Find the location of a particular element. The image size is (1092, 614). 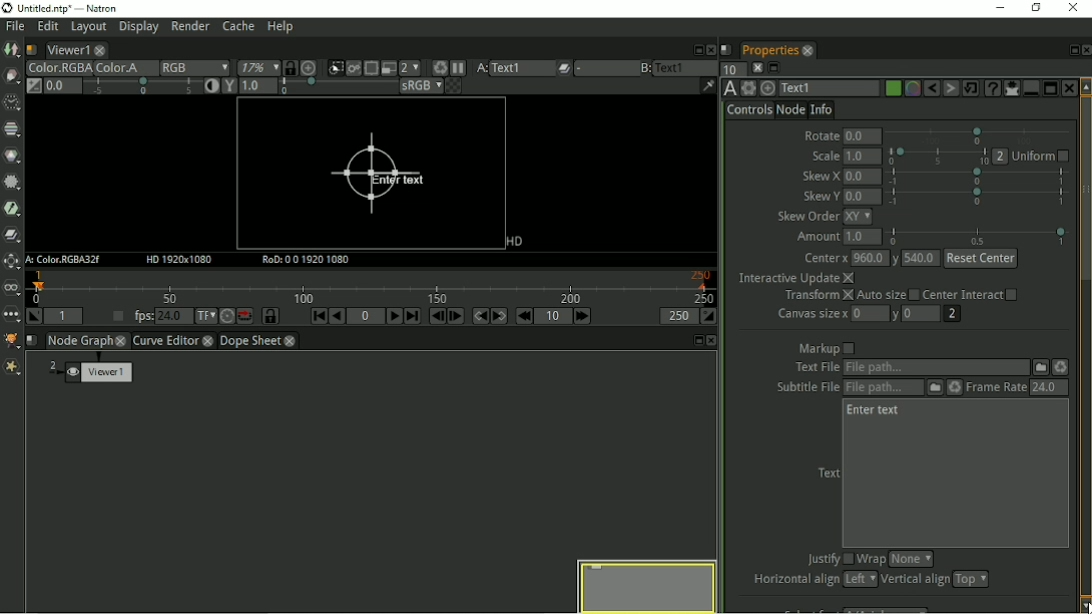

close is located at coordinates (807, 50).